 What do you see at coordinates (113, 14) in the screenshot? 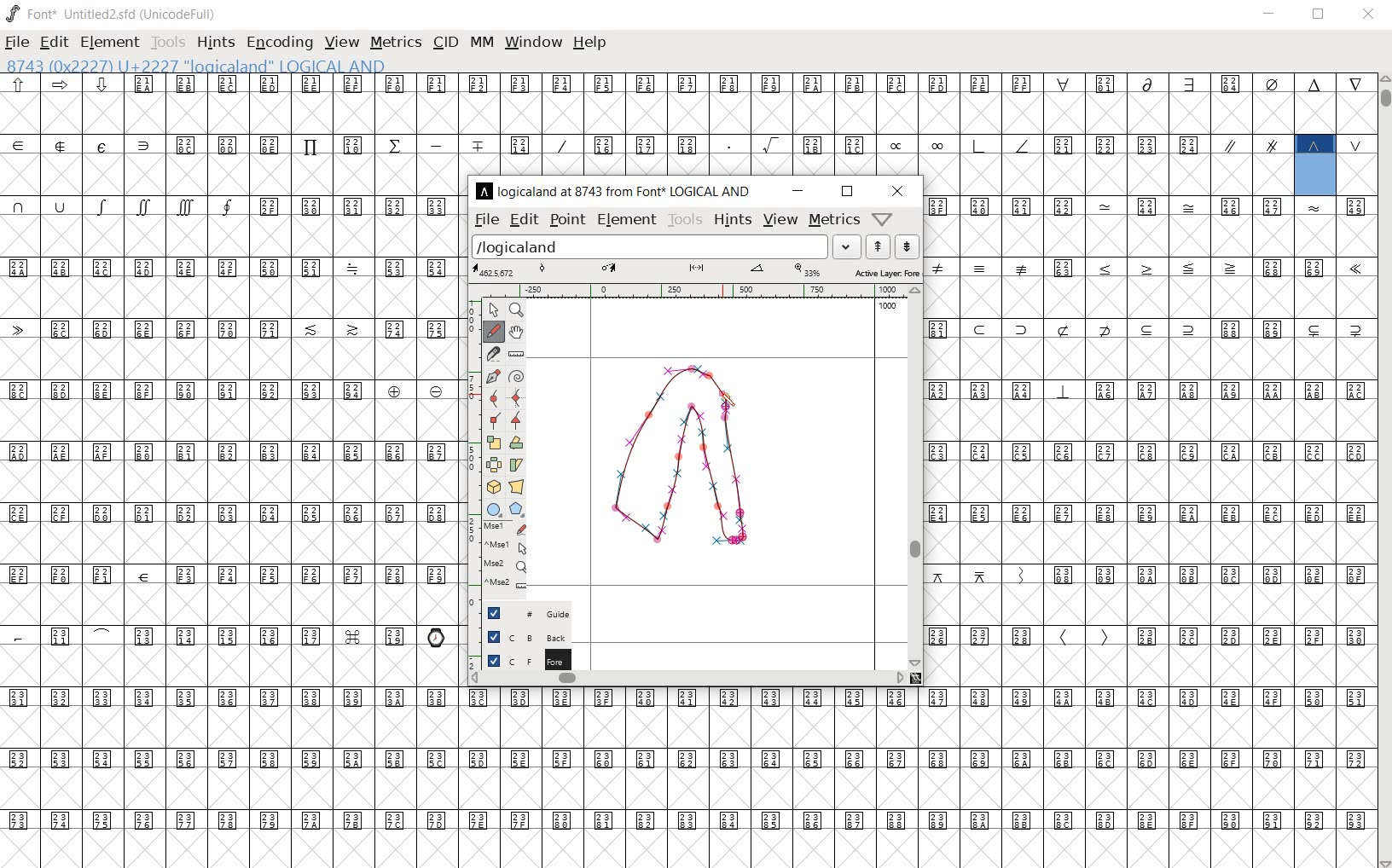
I see `font* Untitled2.sfd (UnicodeFull)` at bounding box center [113, 14].